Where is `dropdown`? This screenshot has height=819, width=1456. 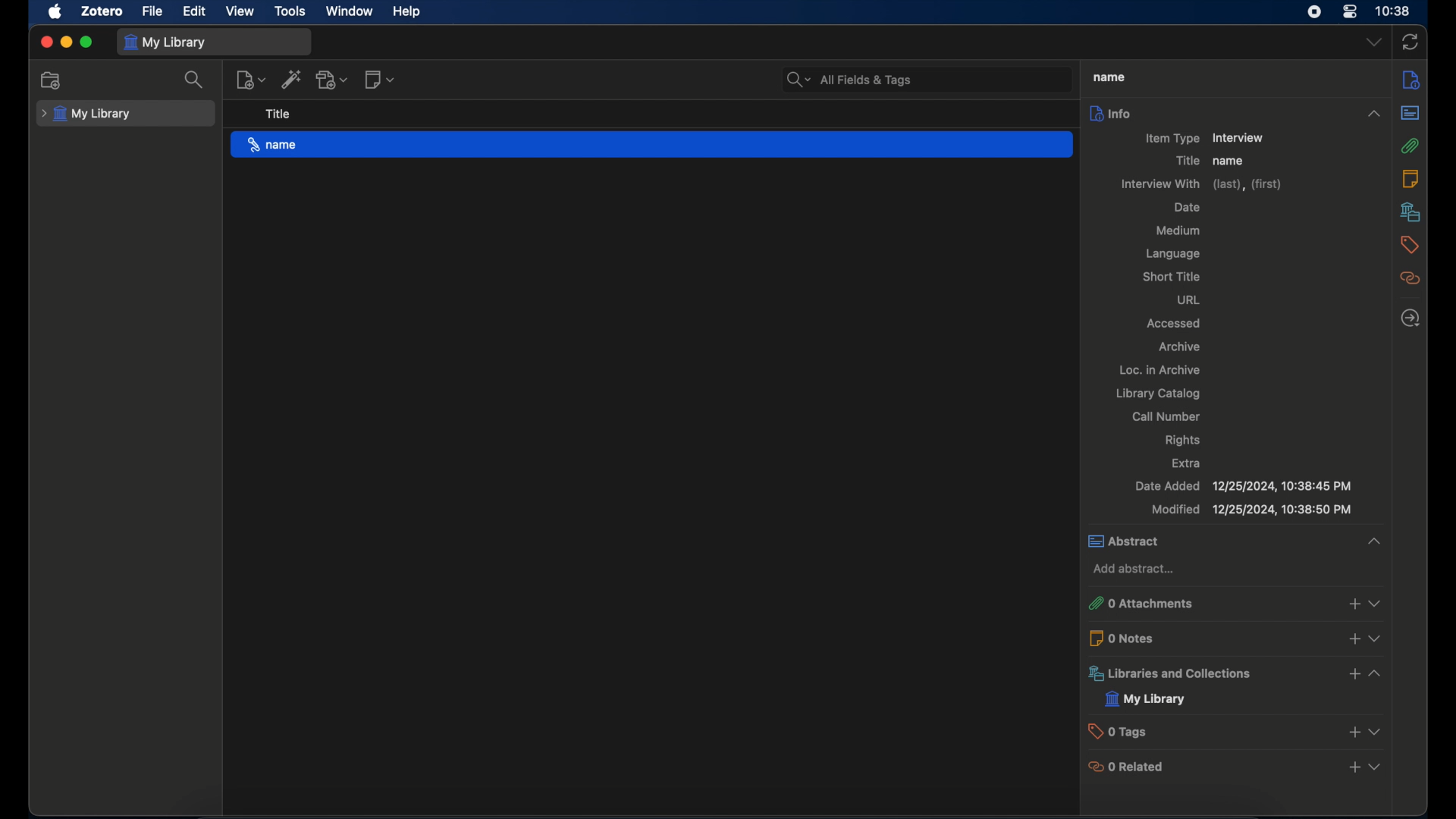
dropdown is located at coordinates (1375, 42).